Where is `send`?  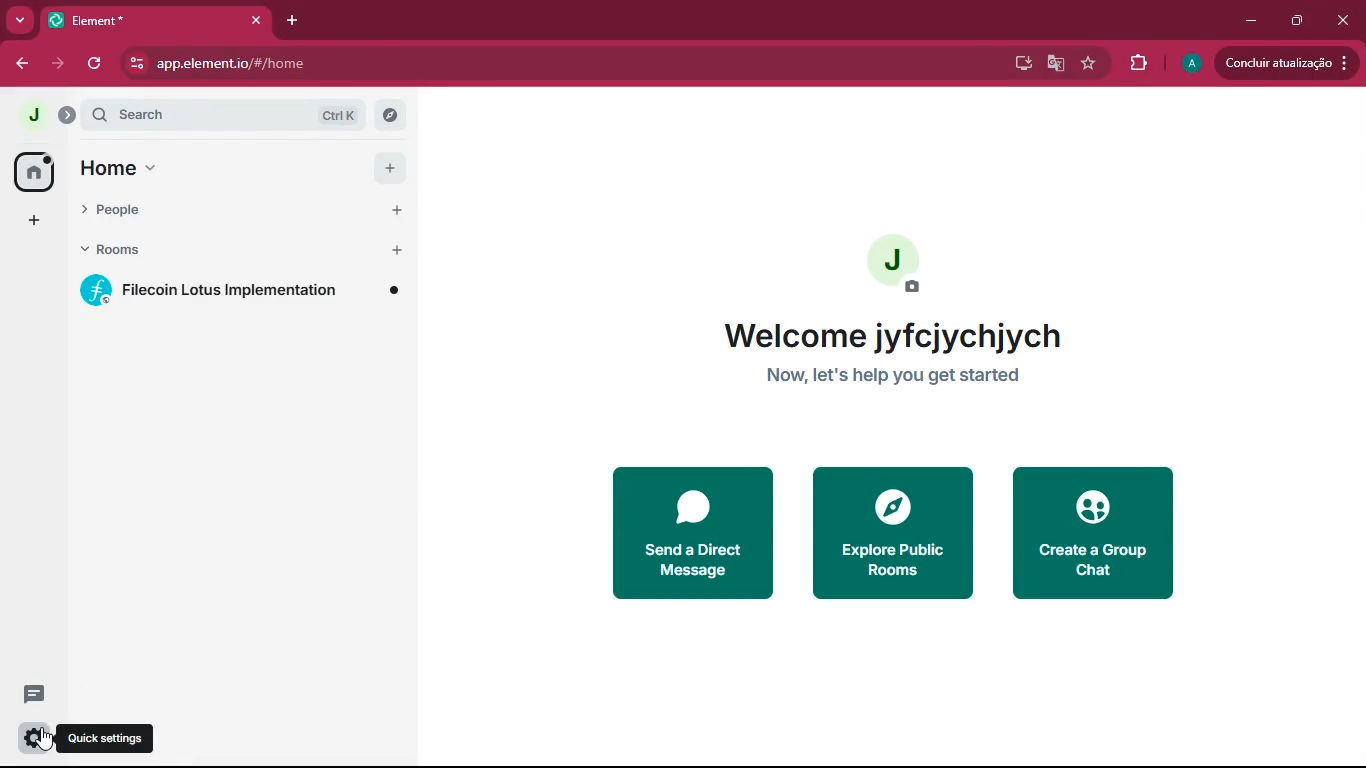
send is located at coordinates (697, 534).